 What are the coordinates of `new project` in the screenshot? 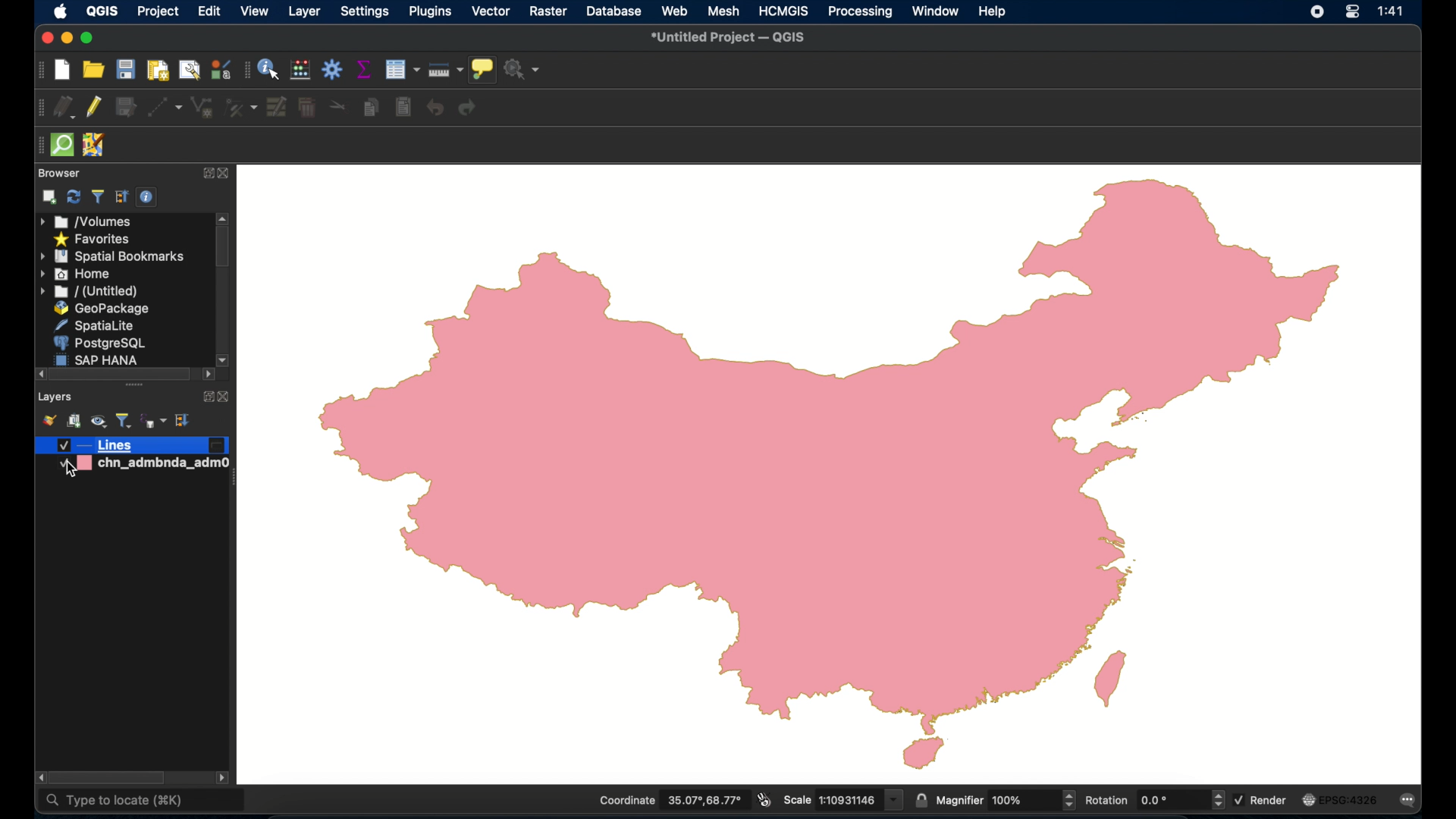 It's located at (63, 70).